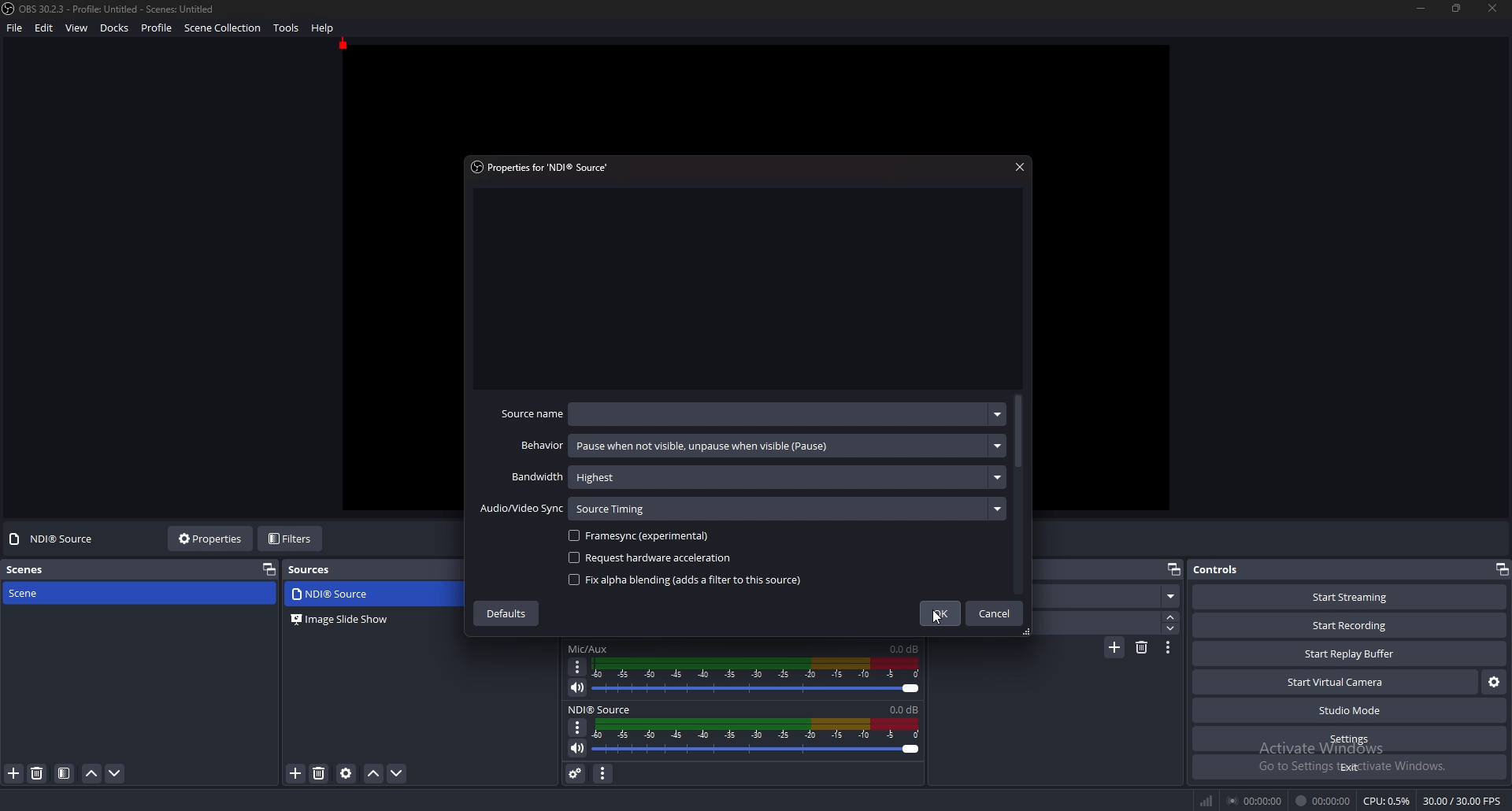 This screenshot has height=811, width=1512. I want to click on remove source, so click(38, 773).